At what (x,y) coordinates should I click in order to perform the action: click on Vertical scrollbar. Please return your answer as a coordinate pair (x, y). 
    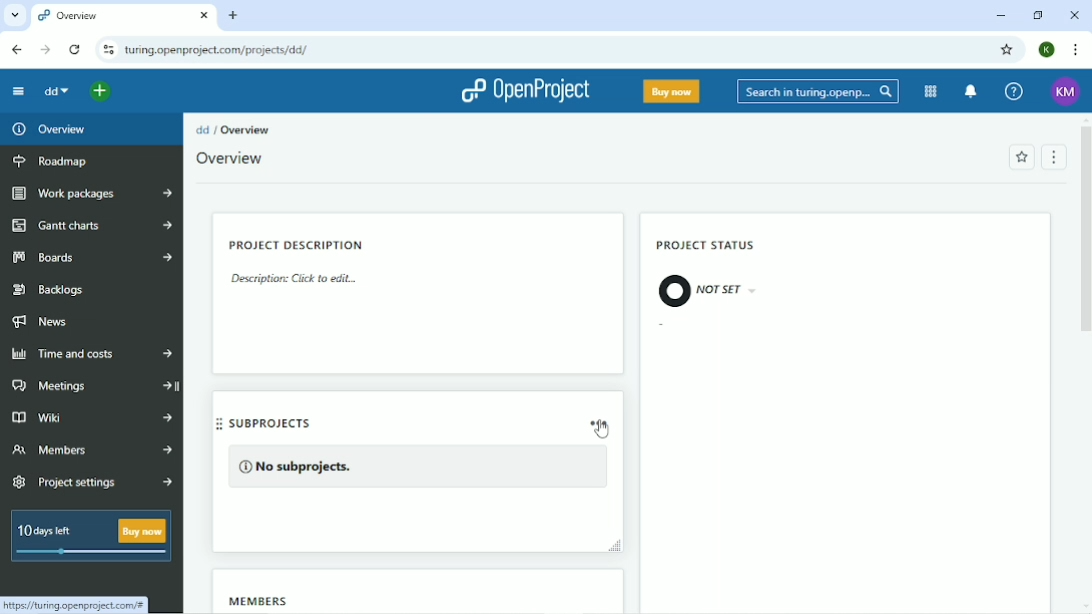
    Looking at the image, I should click on (1085, 232).